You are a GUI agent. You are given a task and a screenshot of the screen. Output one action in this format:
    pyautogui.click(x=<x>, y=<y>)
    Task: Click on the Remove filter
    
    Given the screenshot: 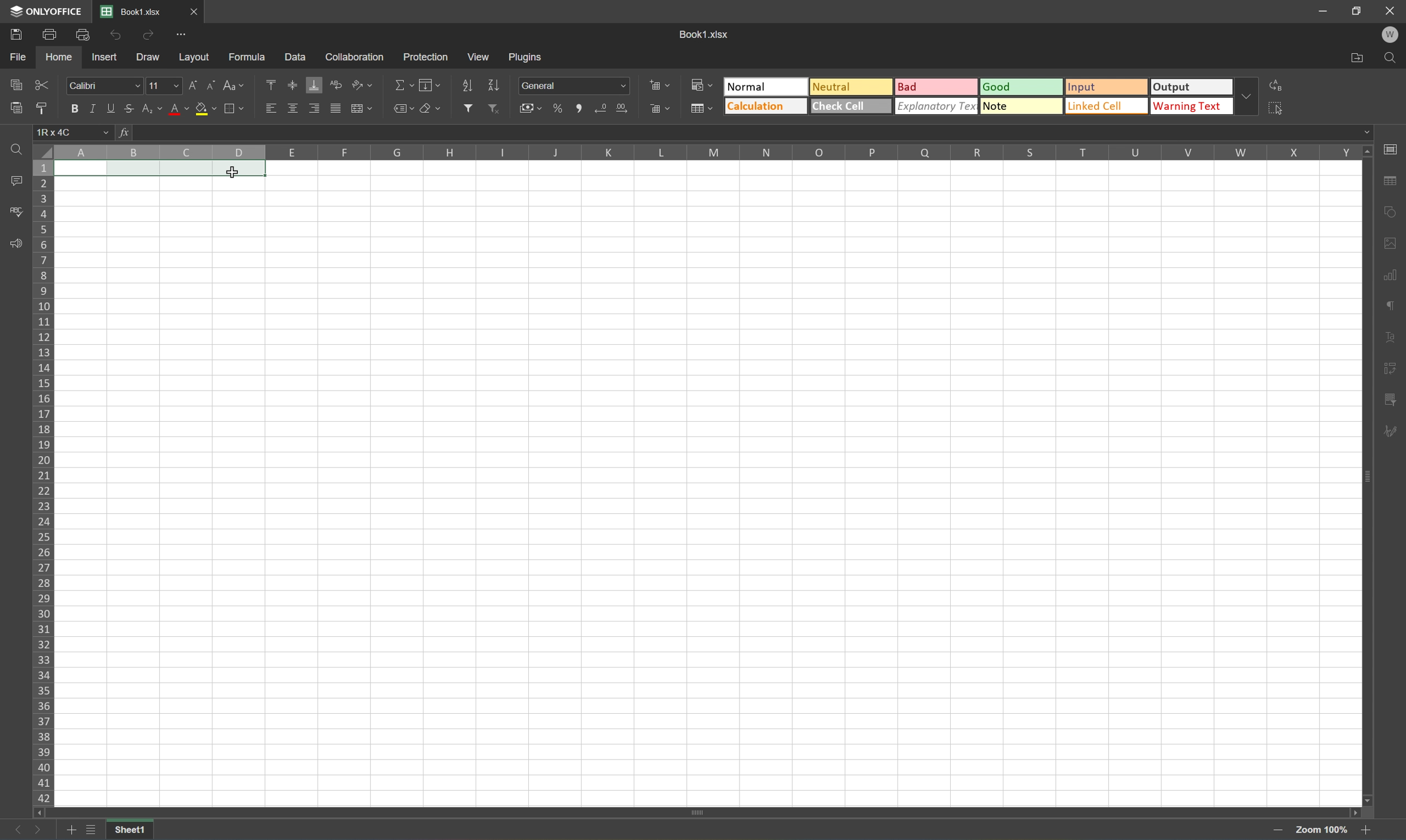 What is the action you would take?
    pyautogui.click(x=493, y=108)
    